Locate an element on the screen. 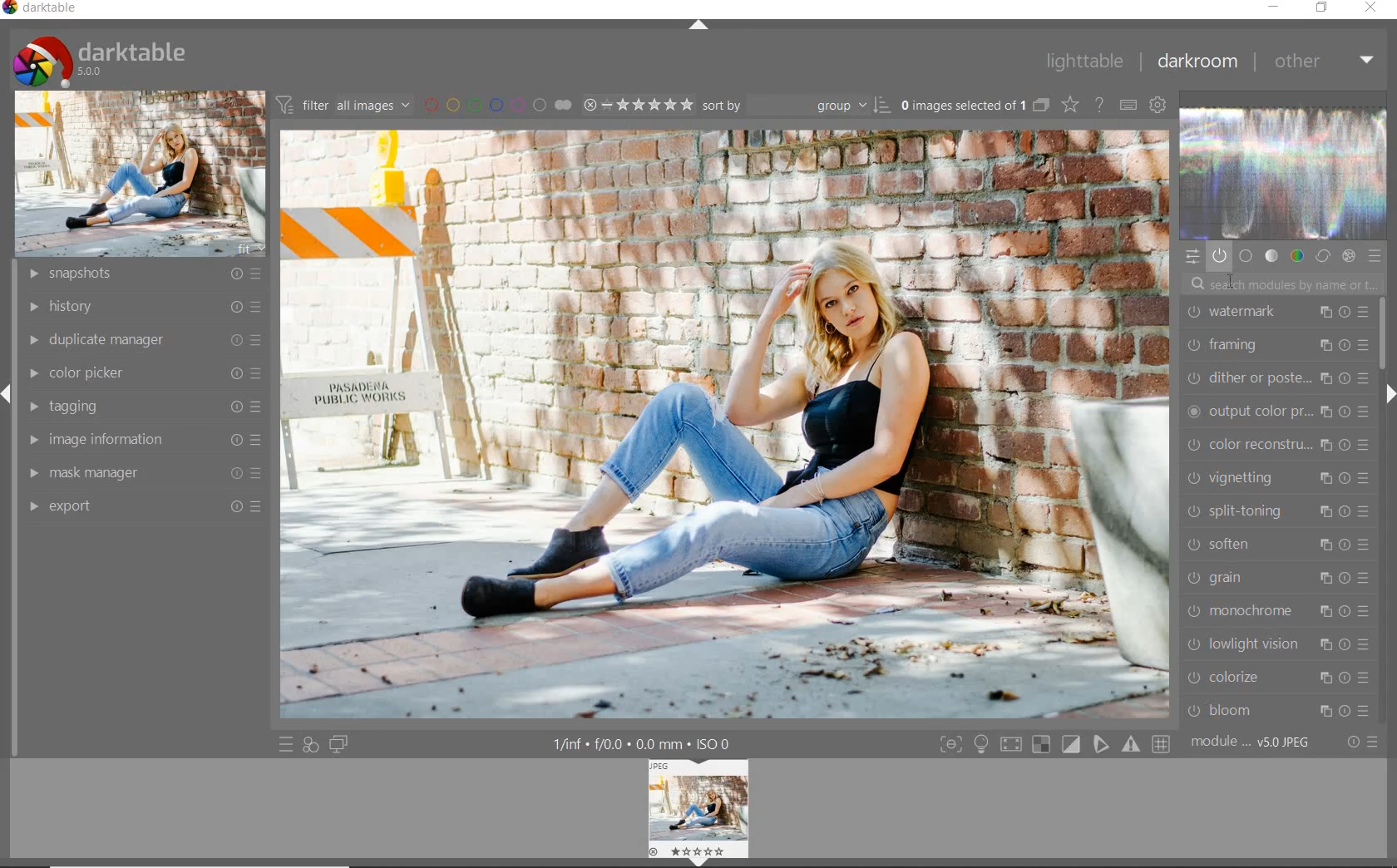 Image resolution: width=1397 pixels, height=868 pixels. base is located at coordinates (1247, 254).